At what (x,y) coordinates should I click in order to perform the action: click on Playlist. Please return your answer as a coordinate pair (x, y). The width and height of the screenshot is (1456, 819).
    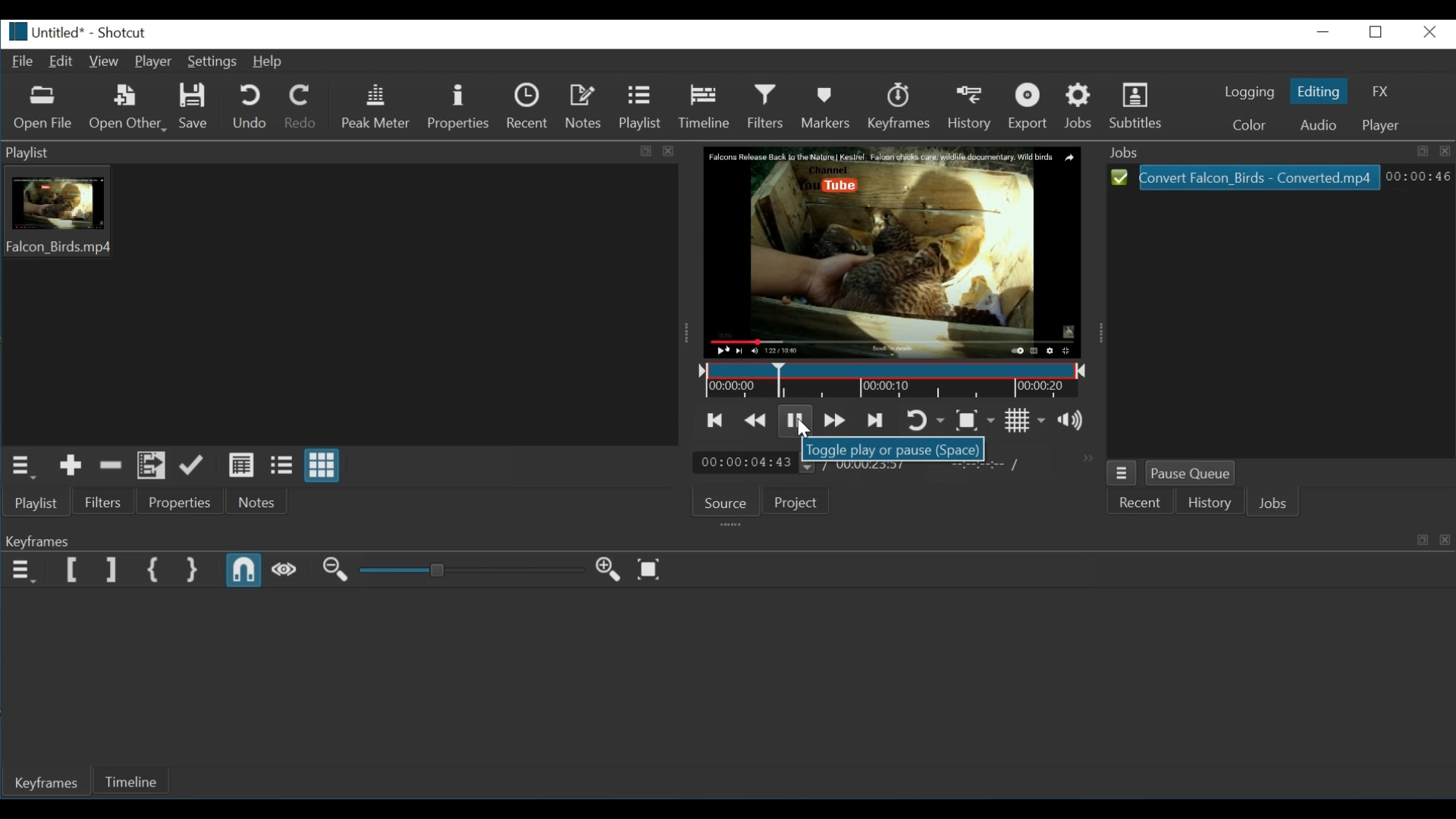
    Looking at the image, I should click on (35, 502).